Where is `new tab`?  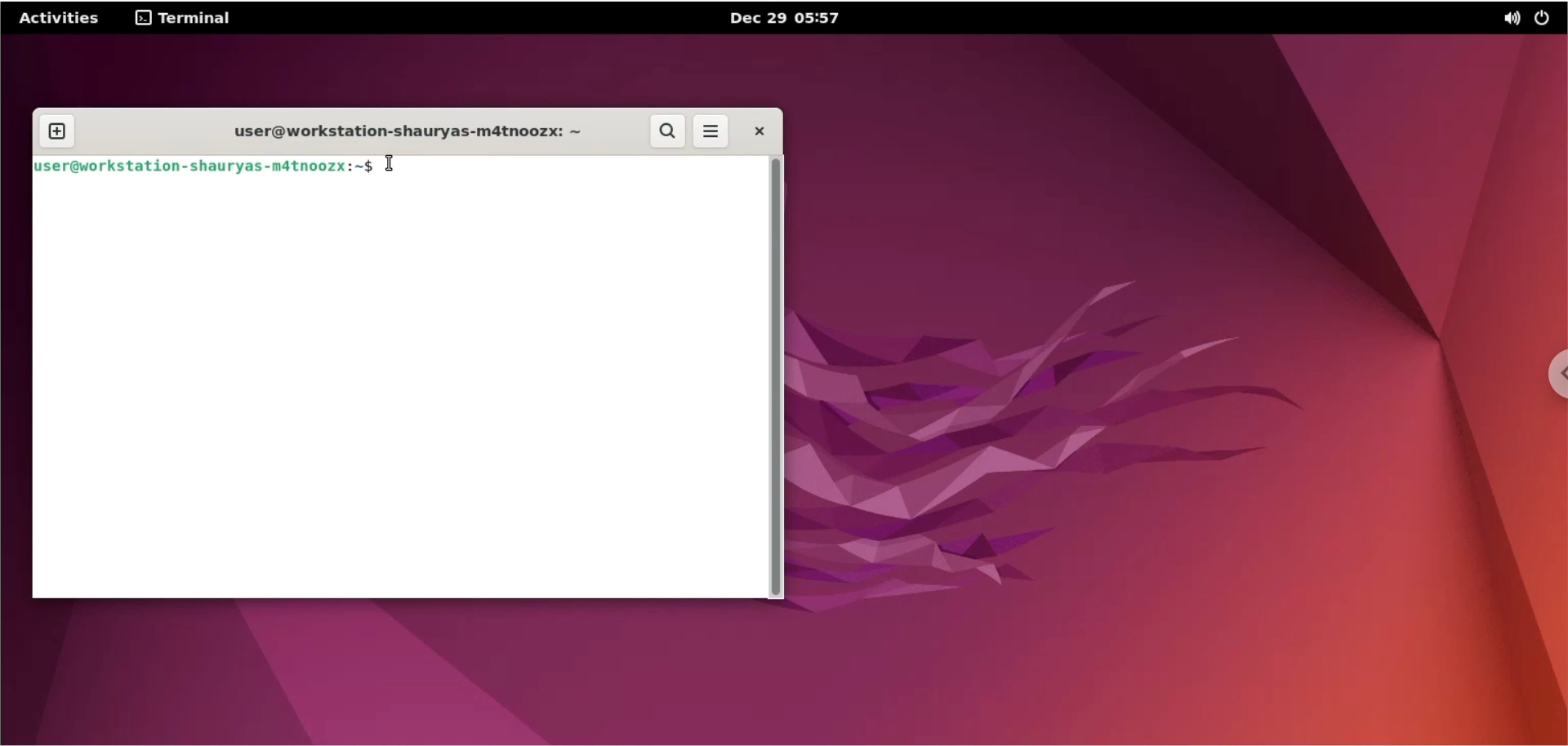
new tab is located at coordinates (56, 131).